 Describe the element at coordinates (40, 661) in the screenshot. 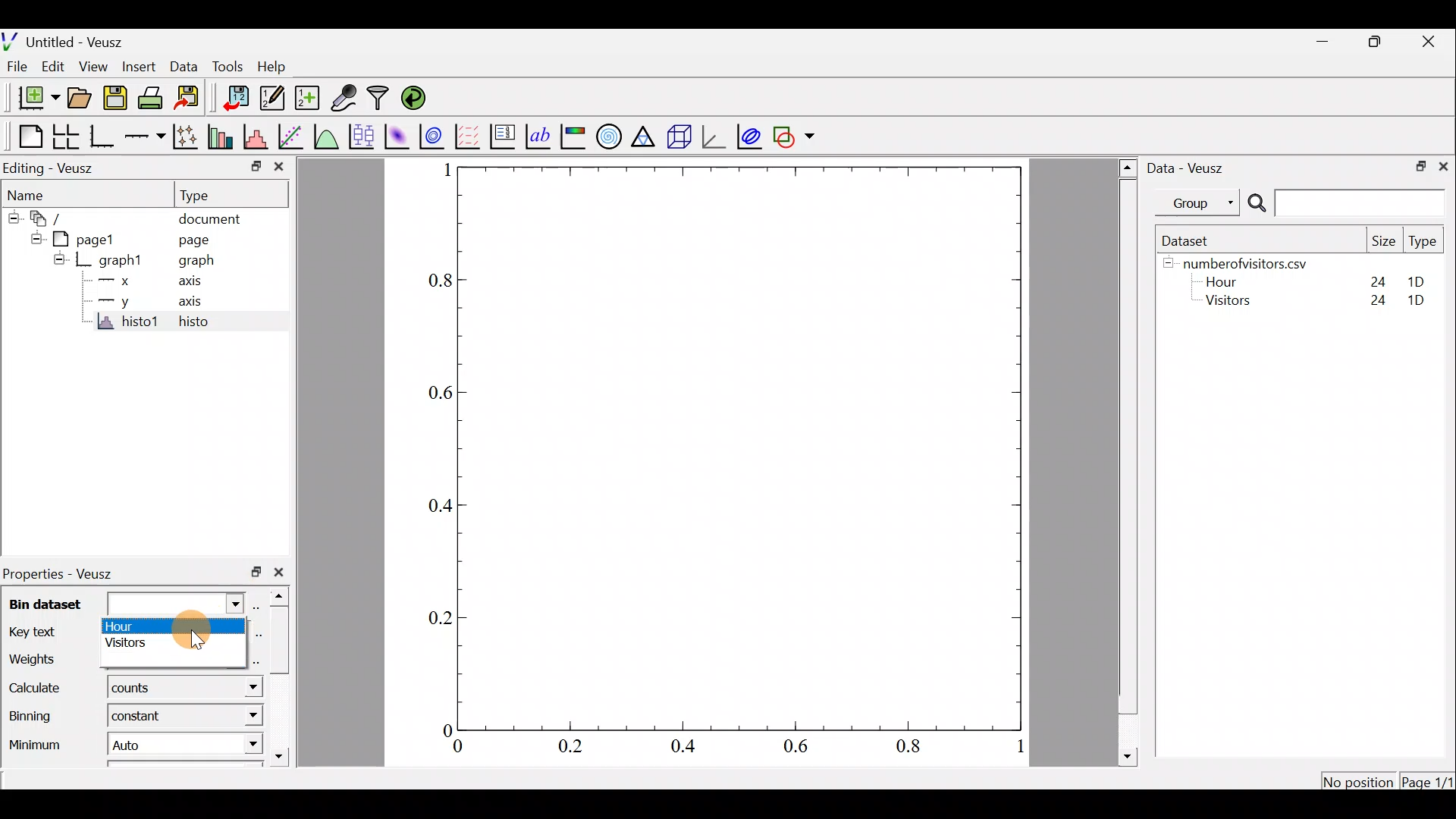

I see `Weights` at that location.